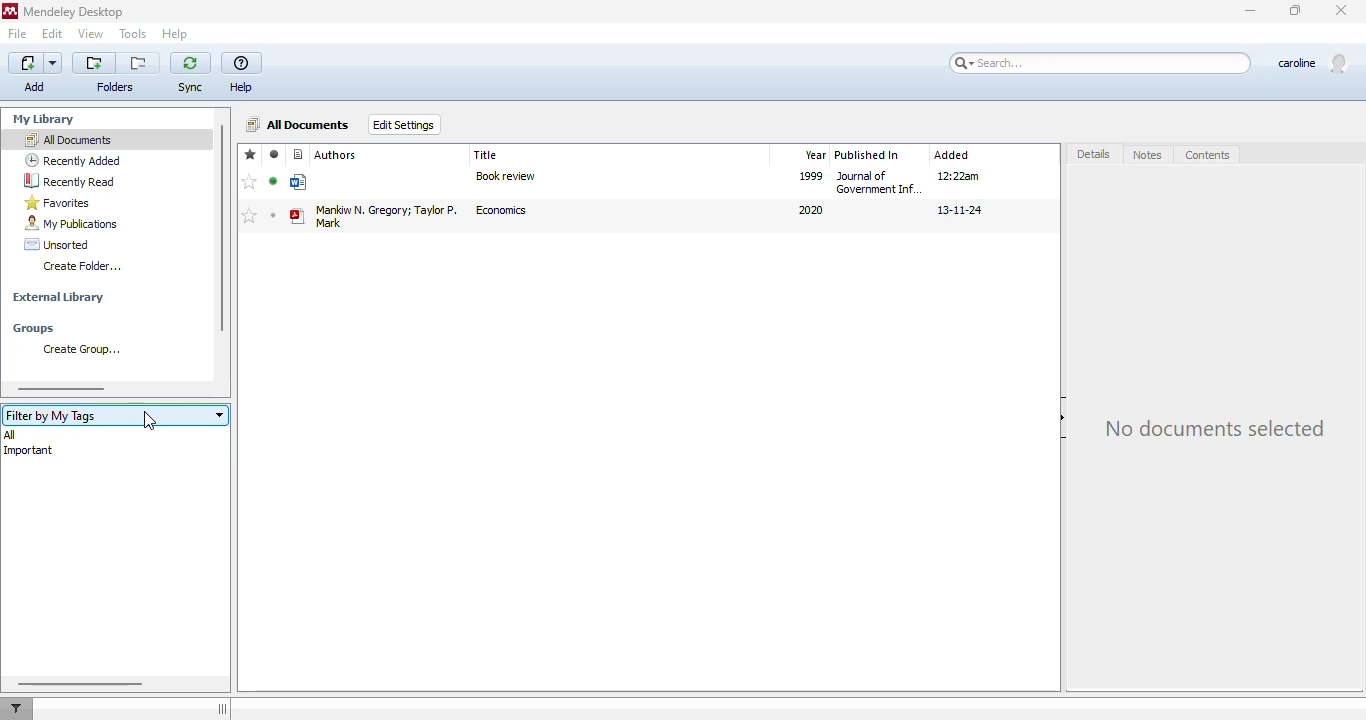 The width and height of the screenshot is (1366, 720). I want to click on book review, so click(505, 176).